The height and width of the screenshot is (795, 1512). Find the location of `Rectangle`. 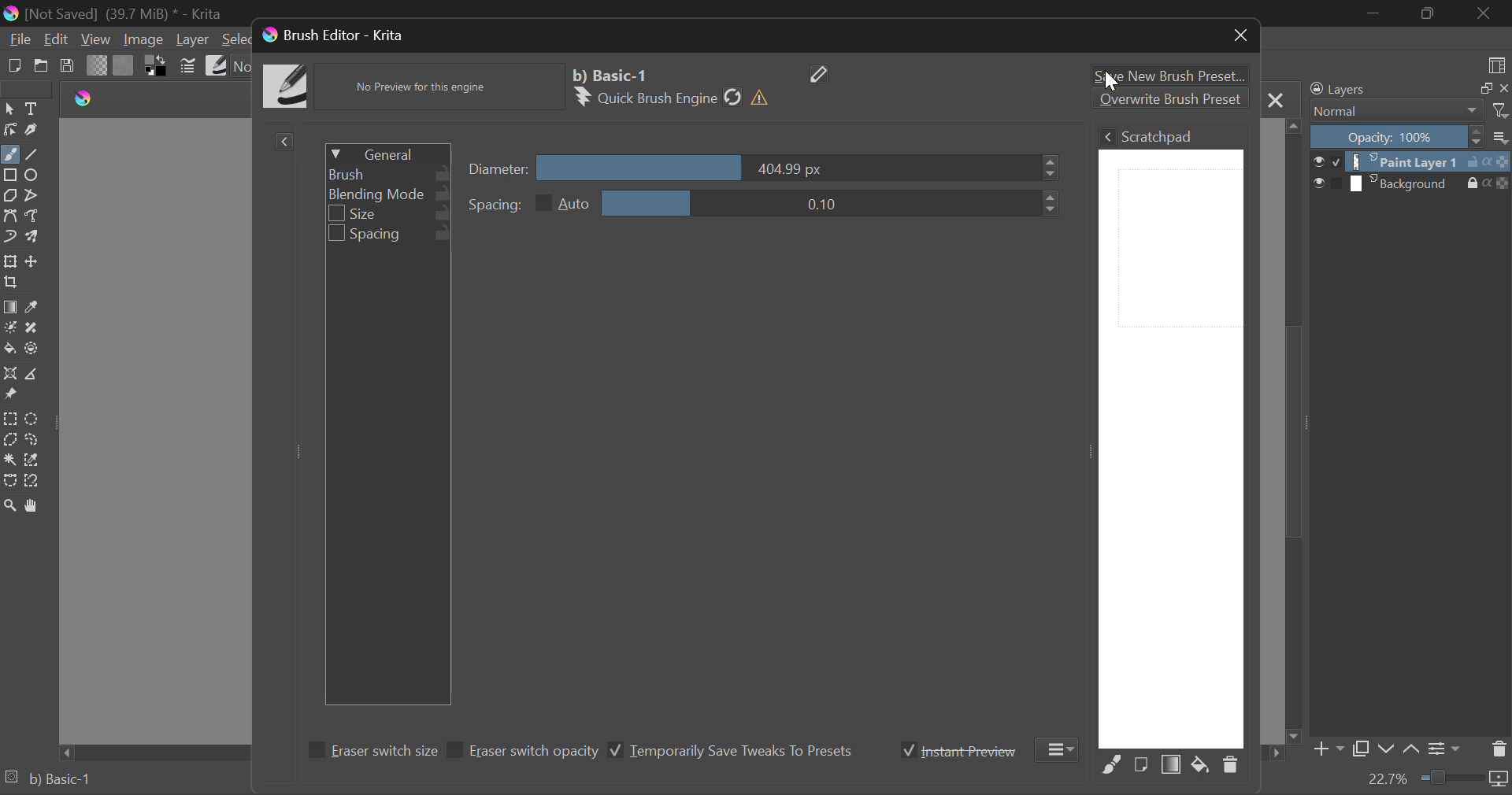

Rectangle is located at coordinates (11, 176).